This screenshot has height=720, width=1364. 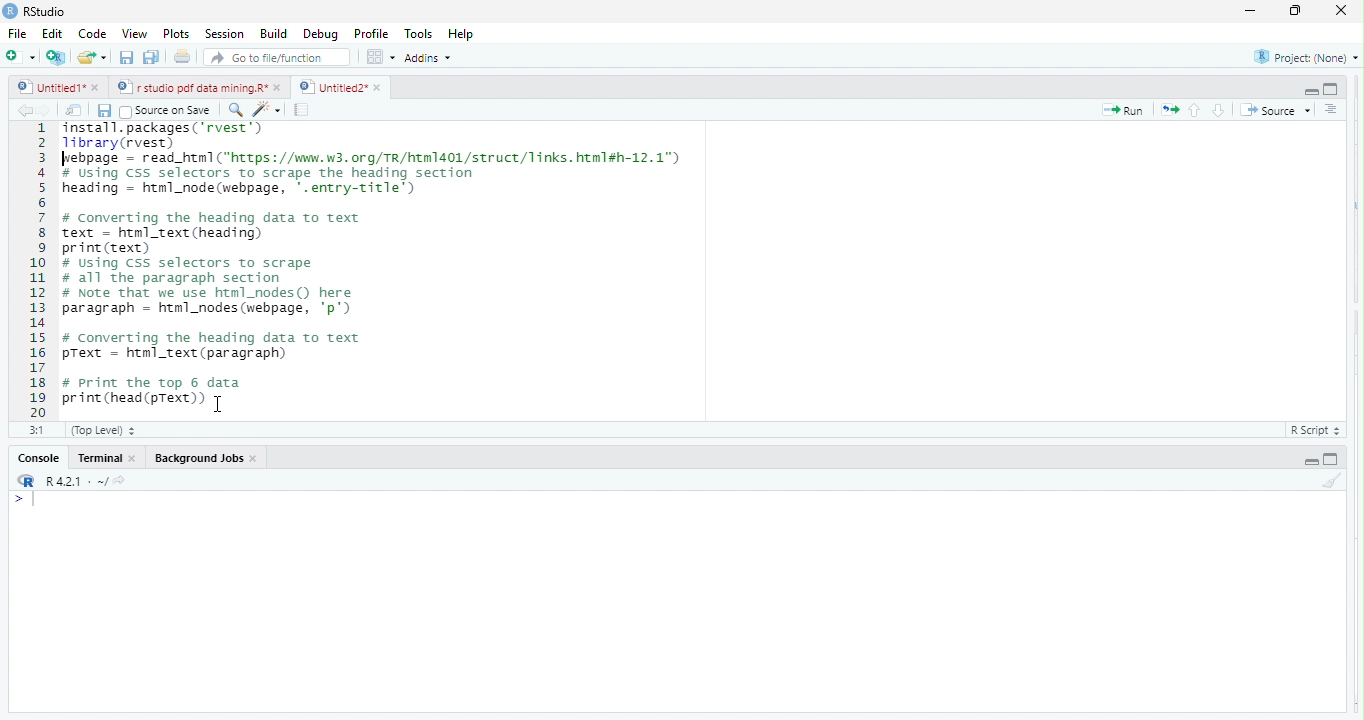 I want to click on new file, so click(x=20, y=56).